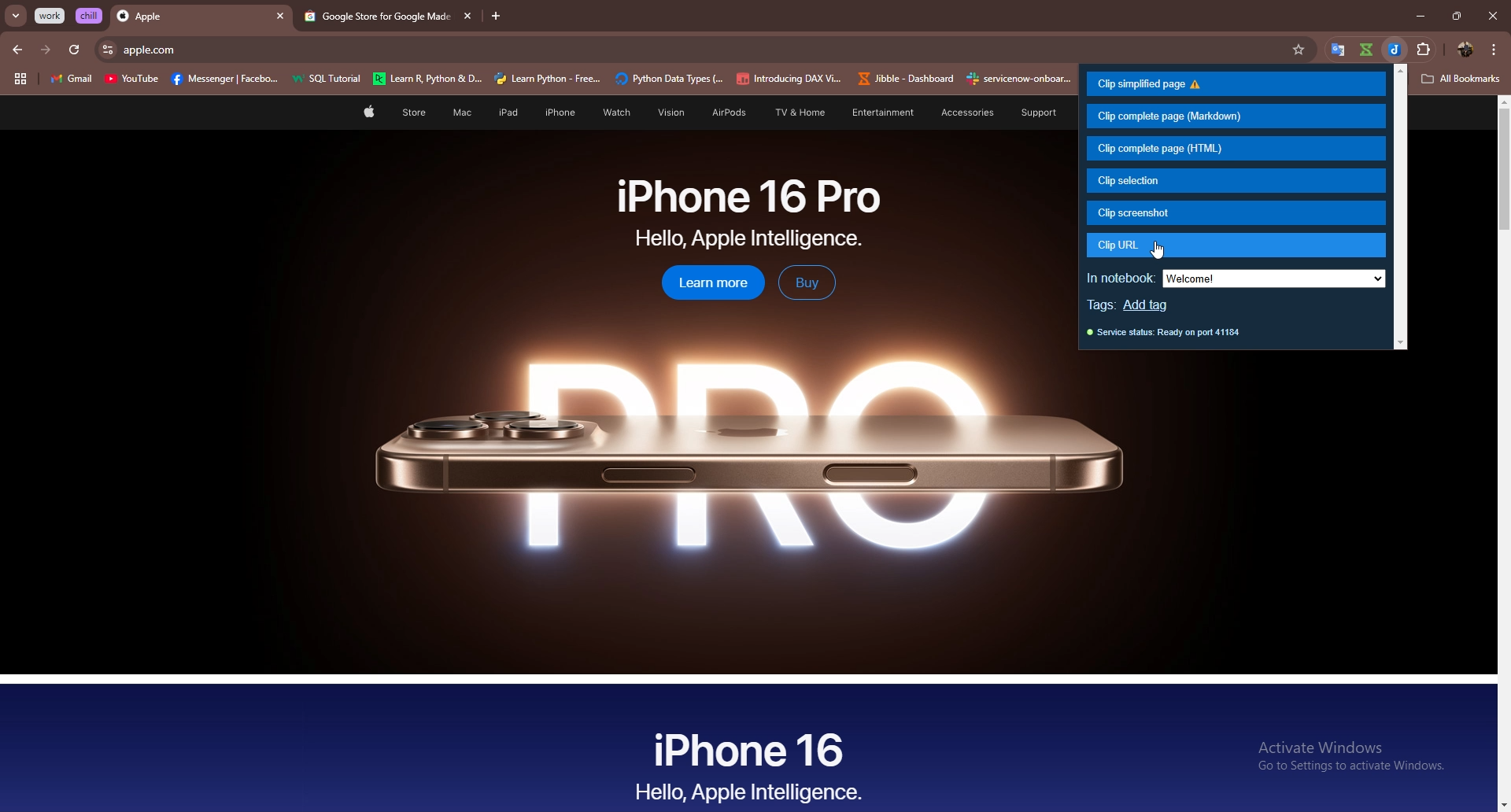  Describe the element at coordinates (428, 79) in the screenshot. I see `Learn R &Pytho` at that location.